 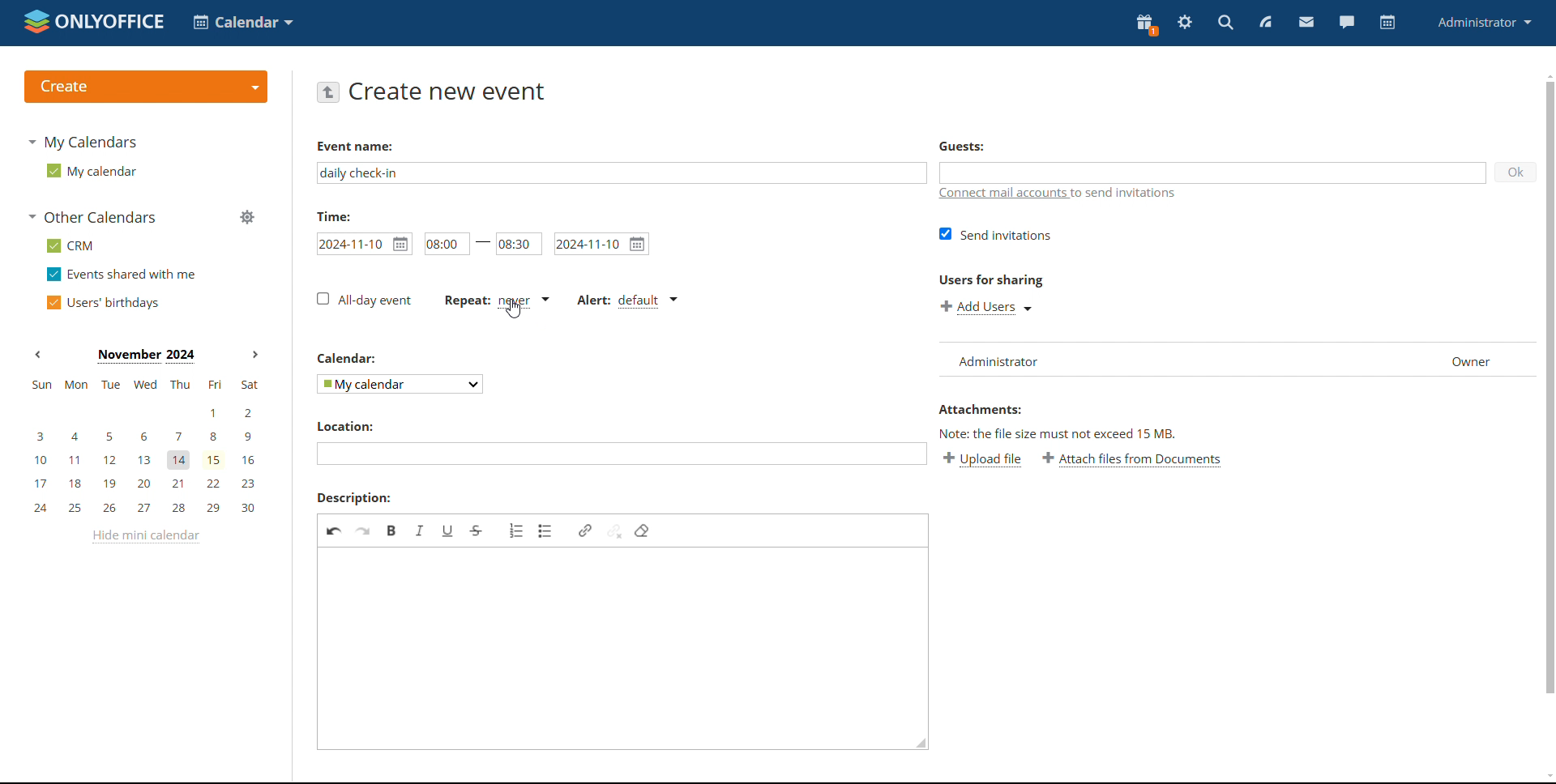 What do you see at coordinates (1516, 173) in the screenshot?
I see `ok` at bounding box center [1516, 173].